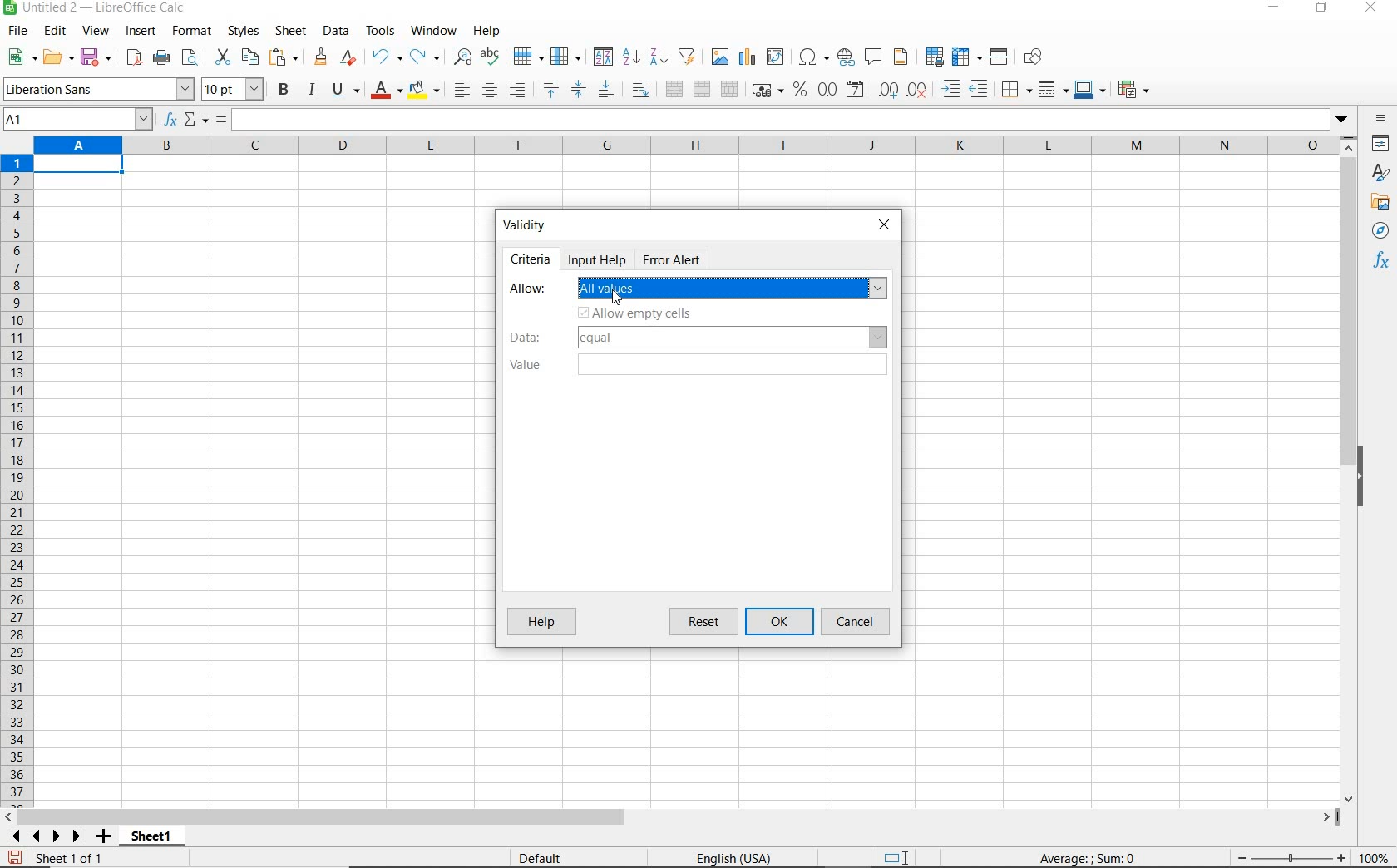 This screenshot has height=868, width=1397. Describe the element at coordinates (1370, 8) in the screenshot. I see `close` at that location.